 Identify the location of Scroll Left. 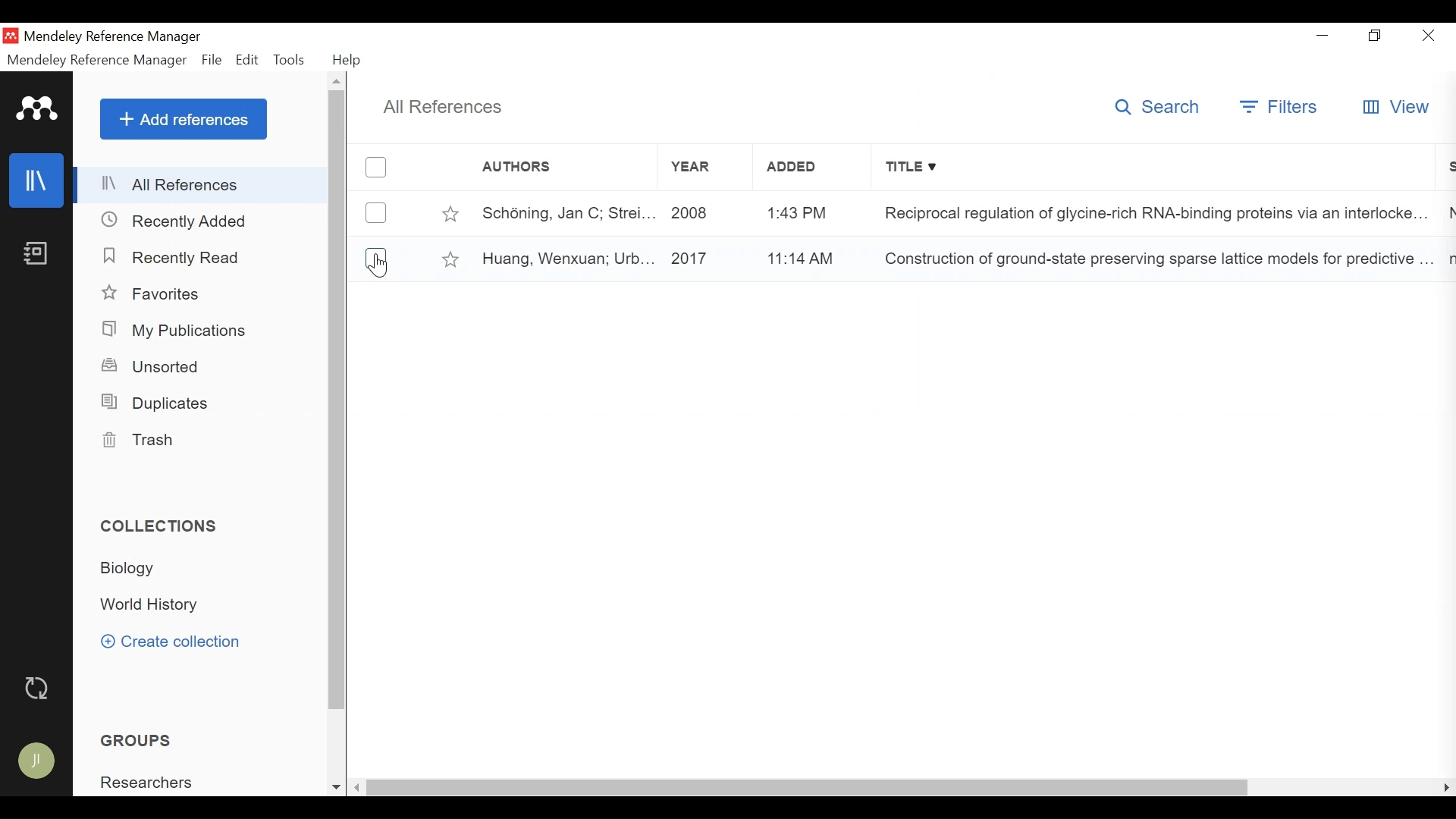
(362, 787).